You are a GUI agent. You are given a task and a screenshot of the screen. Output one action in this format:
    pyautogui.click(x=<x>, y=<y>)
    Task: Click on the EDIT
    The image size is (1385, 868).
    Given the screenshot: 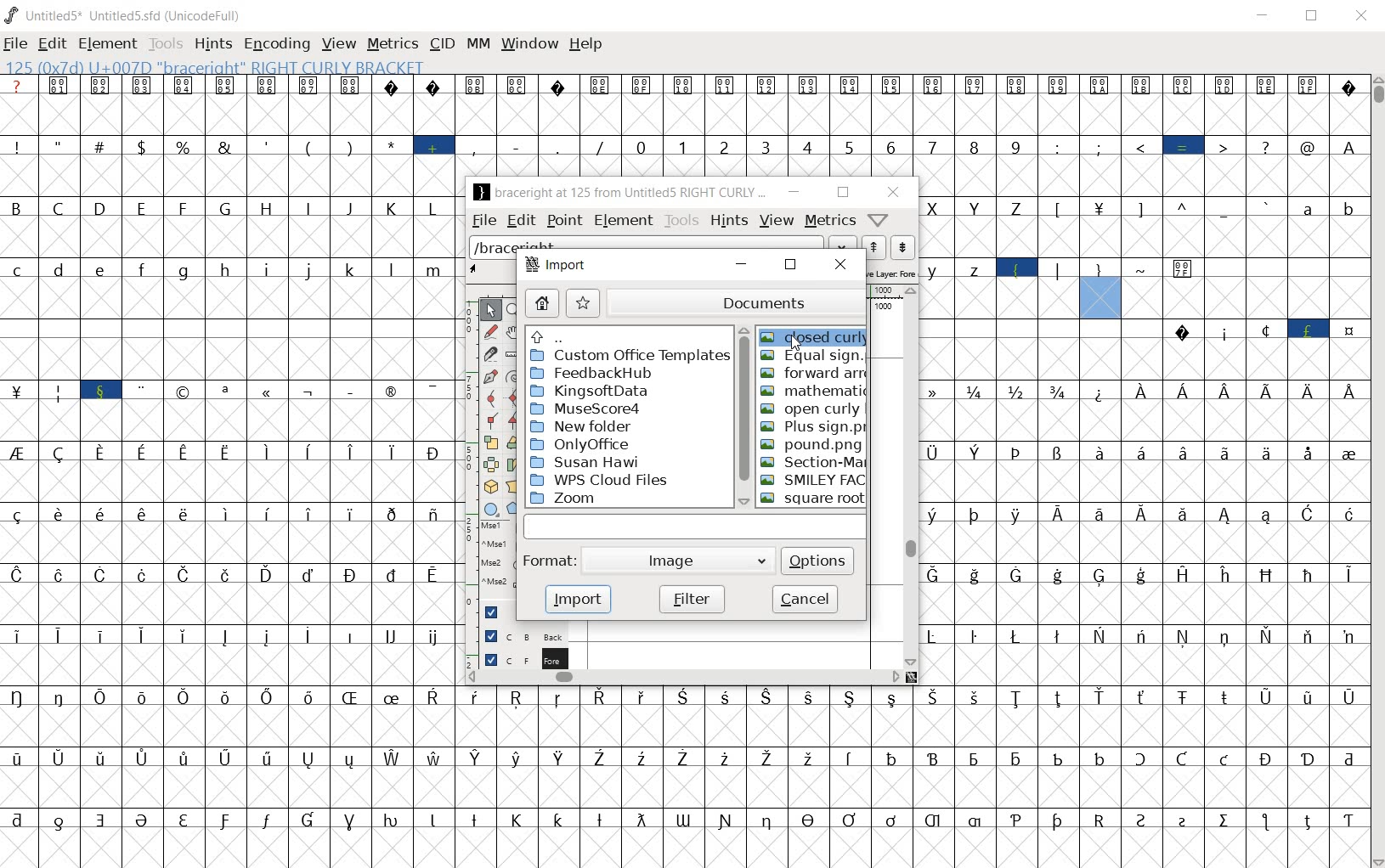 What is the action you would take?
    pyautogui.click(x=52, y=45)
    